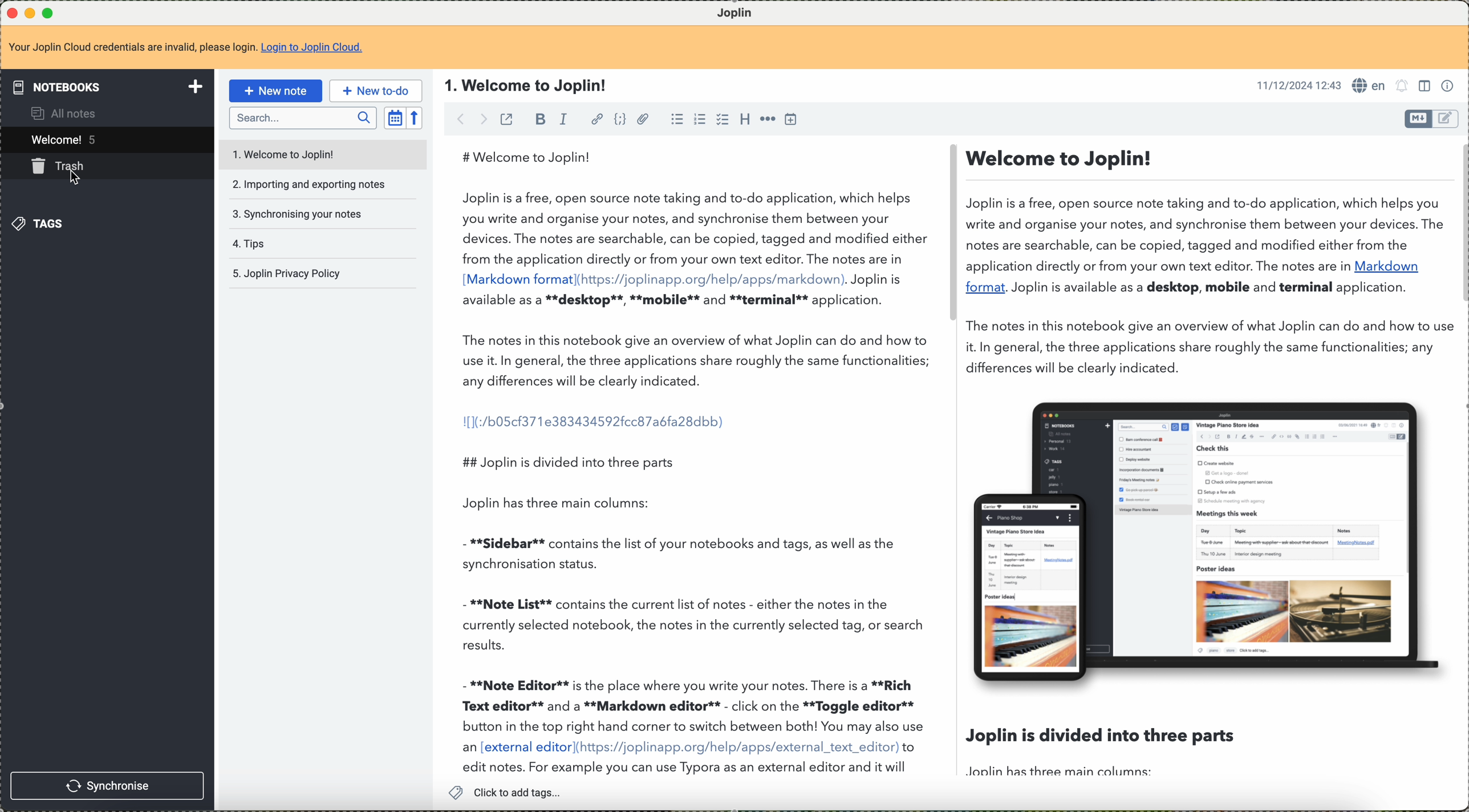  What do you see at coordinates (394, 117) in the screenshot?
I see `toggle sort order field` at bounding box center [394, 117].